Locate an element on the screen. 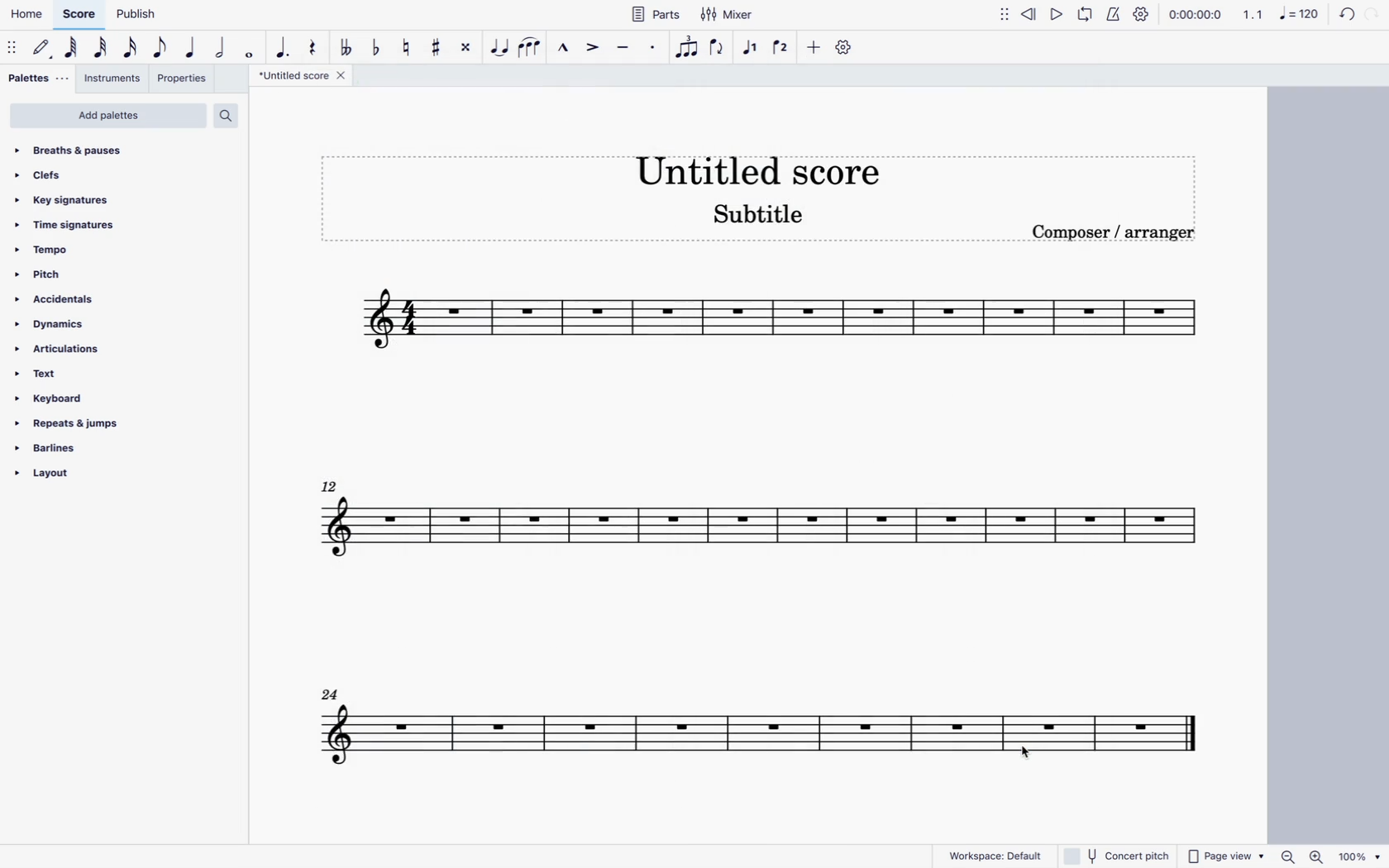 This screenshot has width=1389, height=868. notify is located at coordinates (1113, 12).